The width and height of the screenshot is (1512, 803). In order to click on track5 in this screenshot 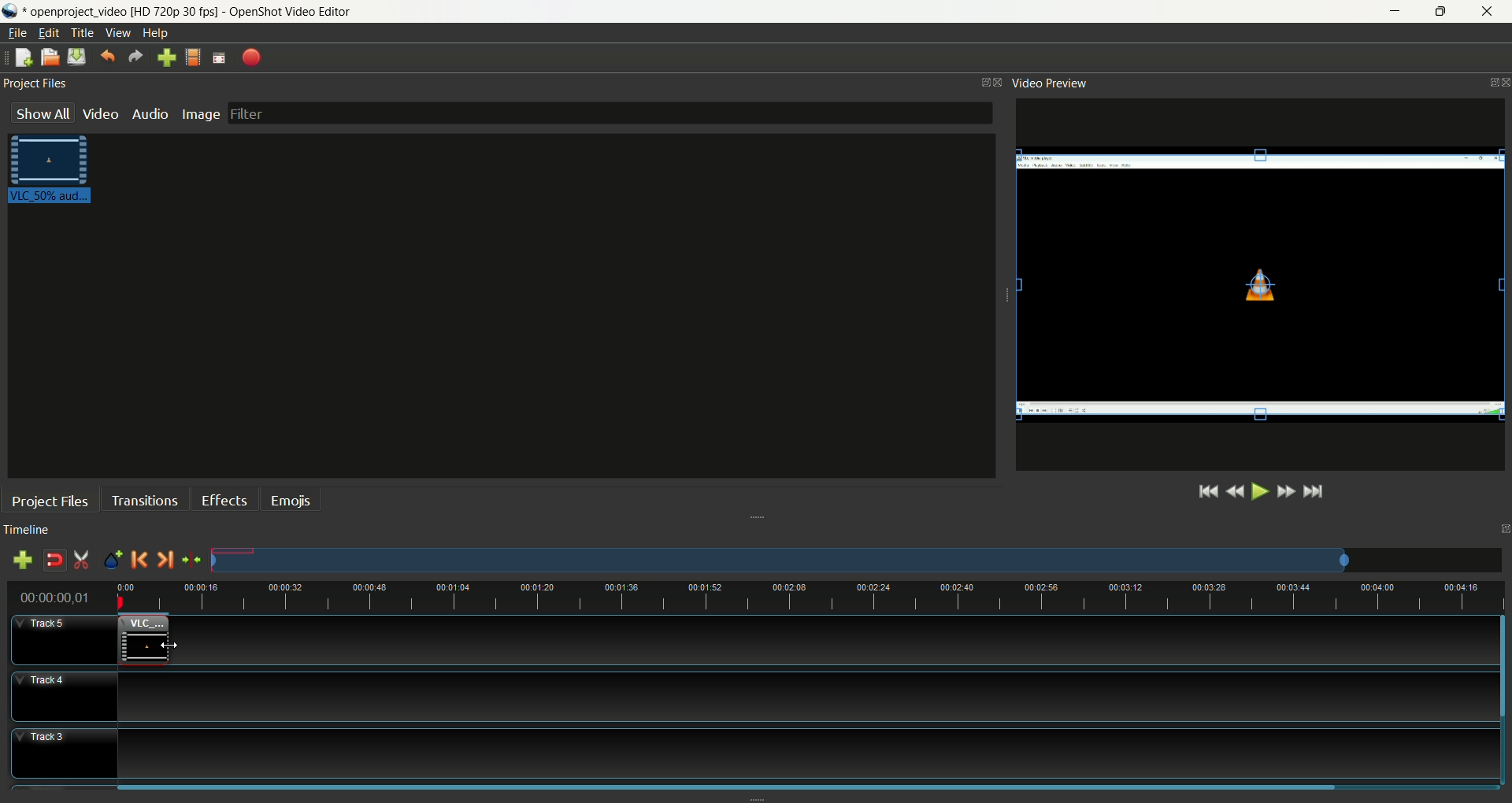, I will do `click(65, 639)`.